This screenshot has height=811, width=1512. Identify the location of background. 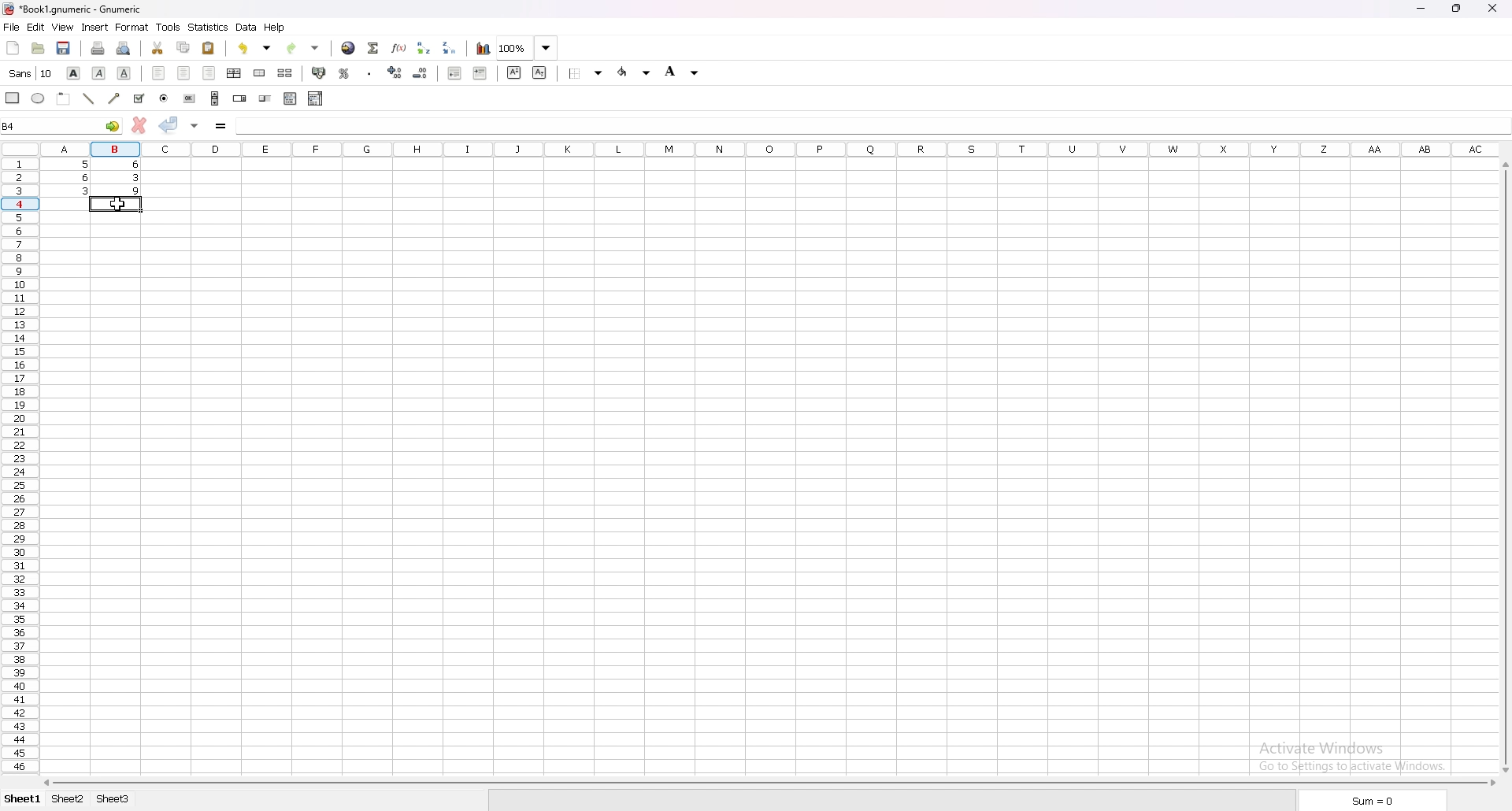
(635, 72).